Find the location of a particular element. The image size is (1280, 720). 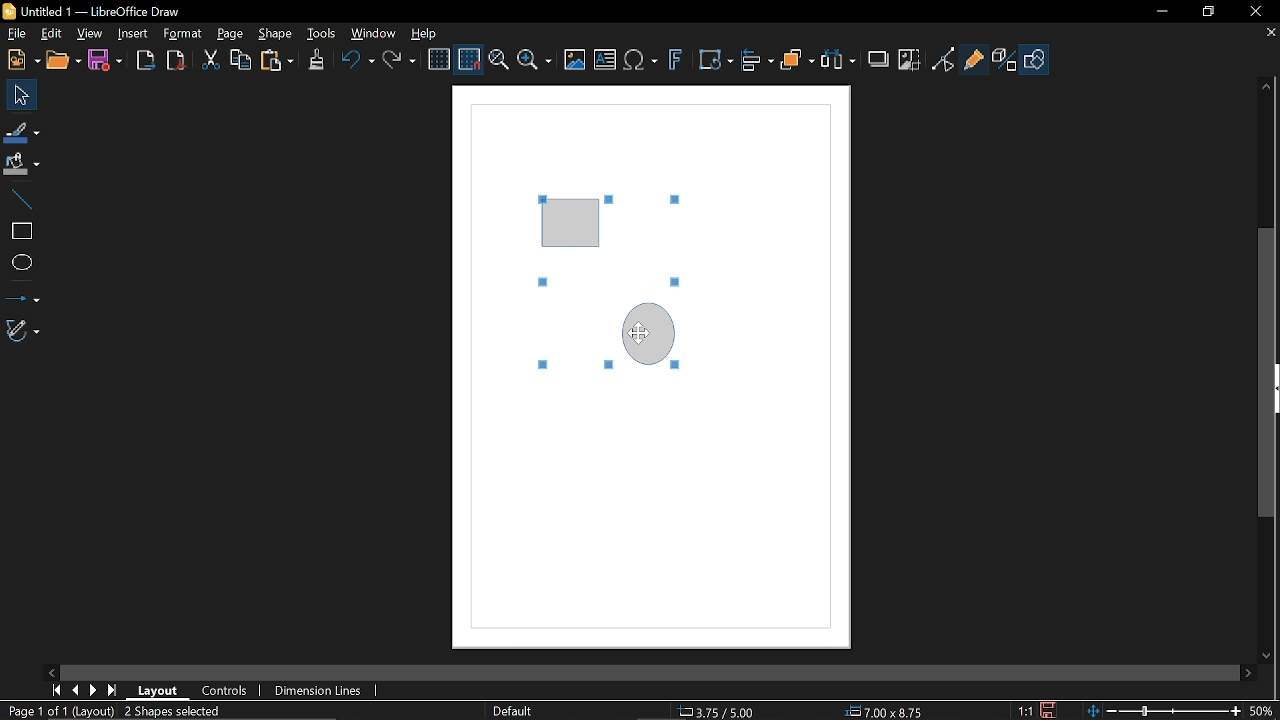

Help is located at coordinates (428, 33).